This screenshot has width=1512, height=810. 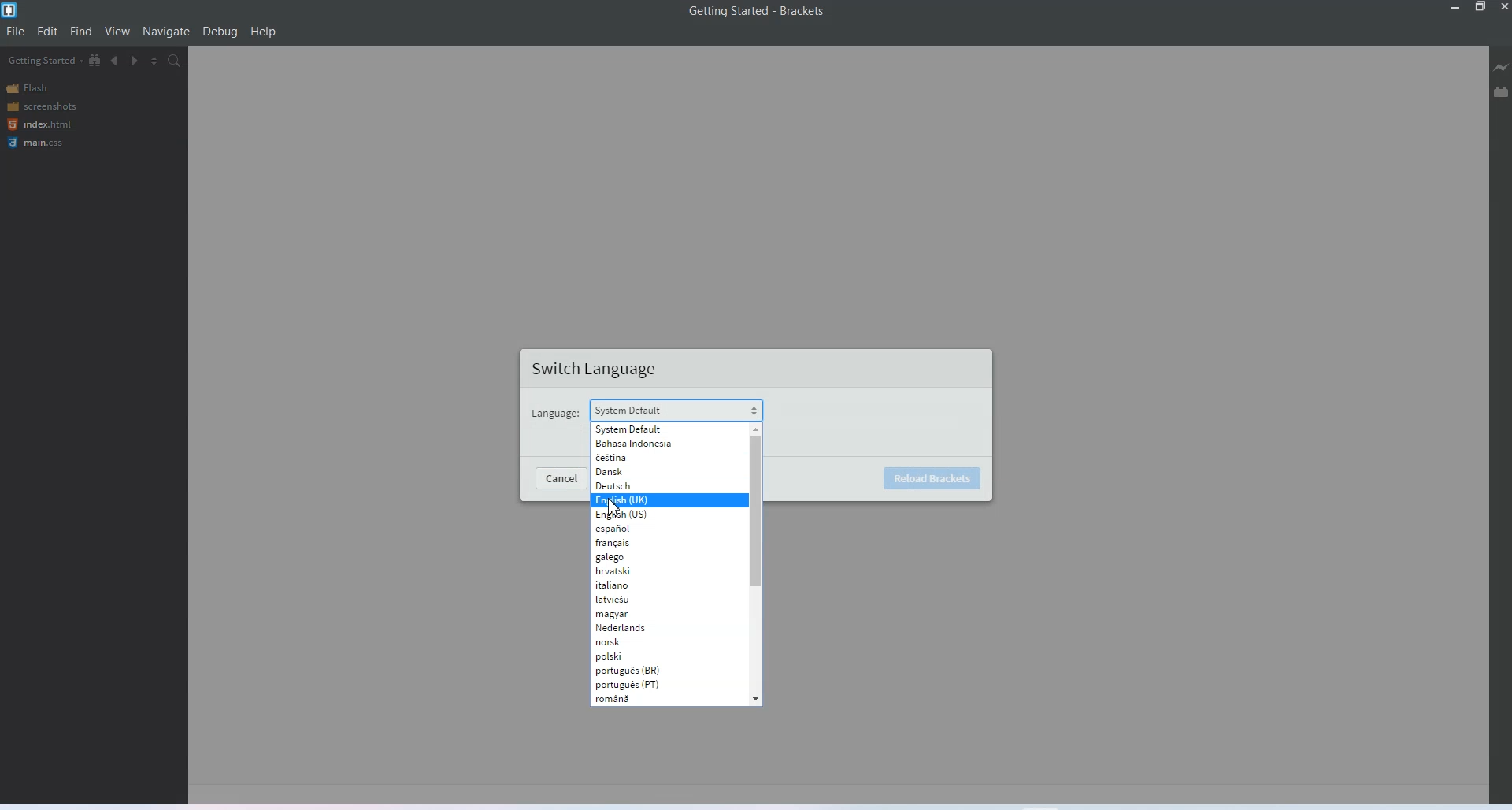 I want to click on scroll bar, so click(x=757, y=510).